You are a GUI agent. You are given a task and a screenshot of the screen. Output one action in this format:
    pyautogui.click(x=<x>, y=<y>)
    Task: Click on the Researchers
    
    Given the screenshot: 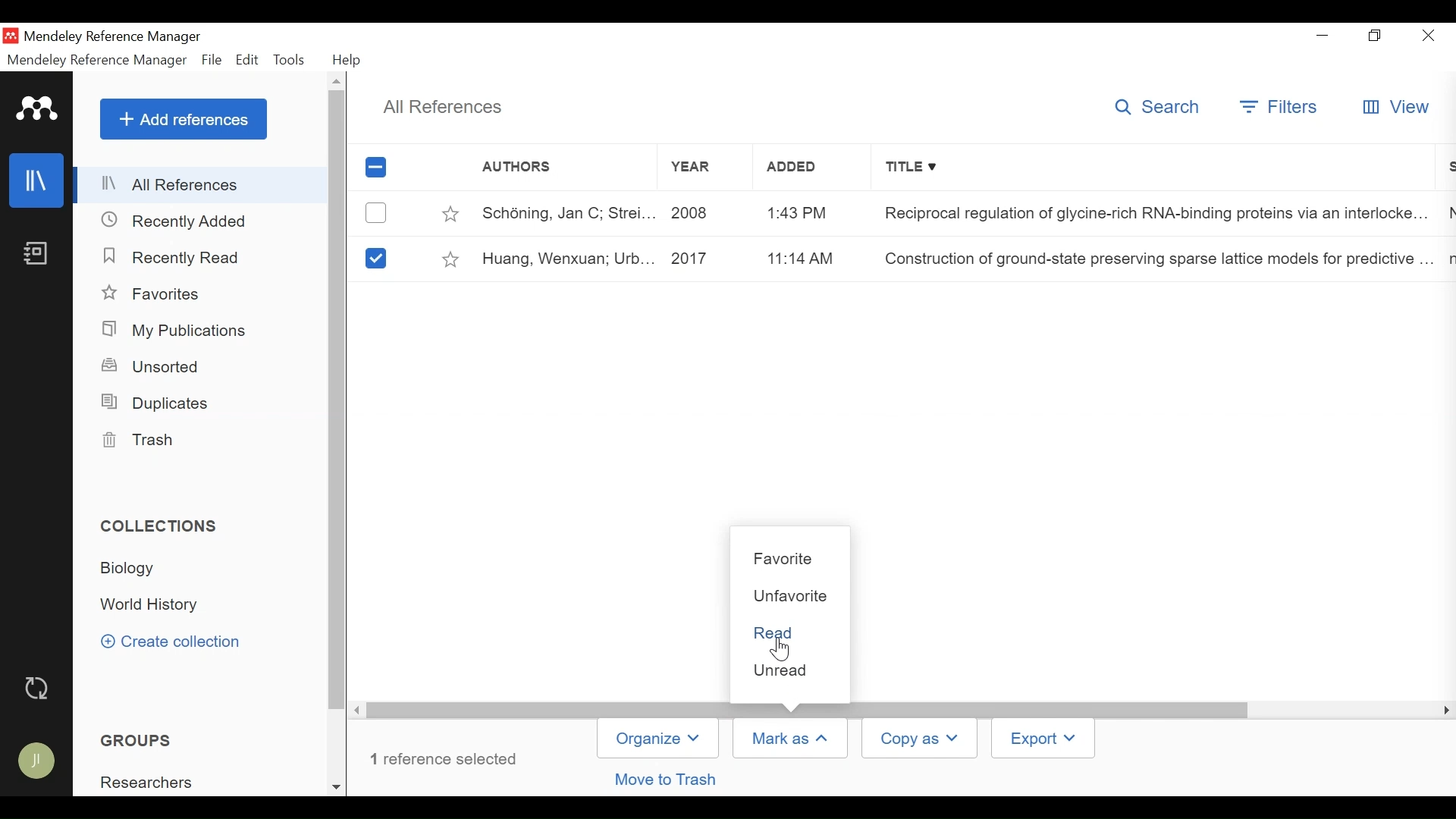 What is the action you would take?
    pyautogui.click(x=149, y=785)
    